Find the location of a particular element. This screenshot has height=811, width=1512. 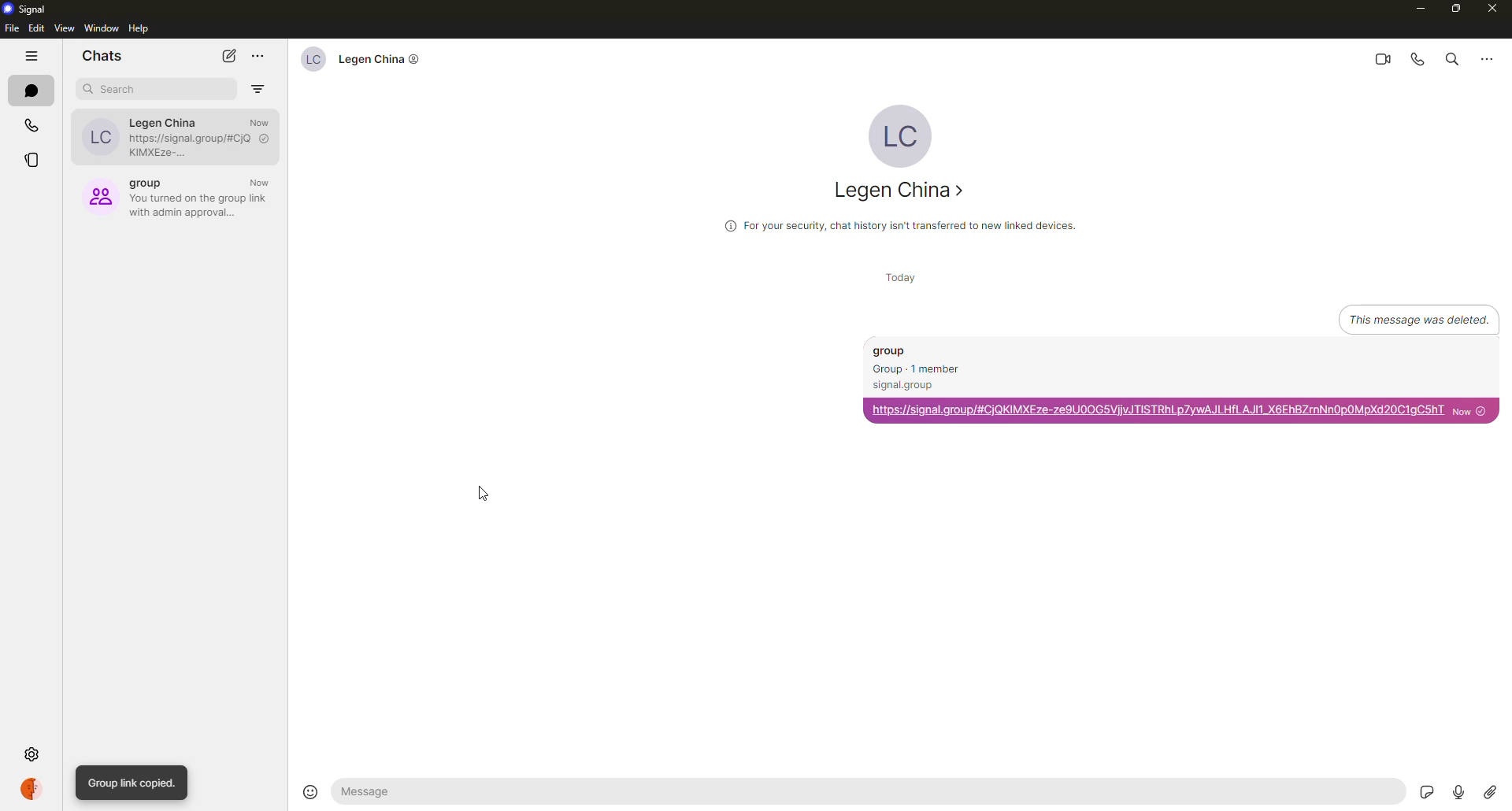

cursor is located at coordinates (487, 501).